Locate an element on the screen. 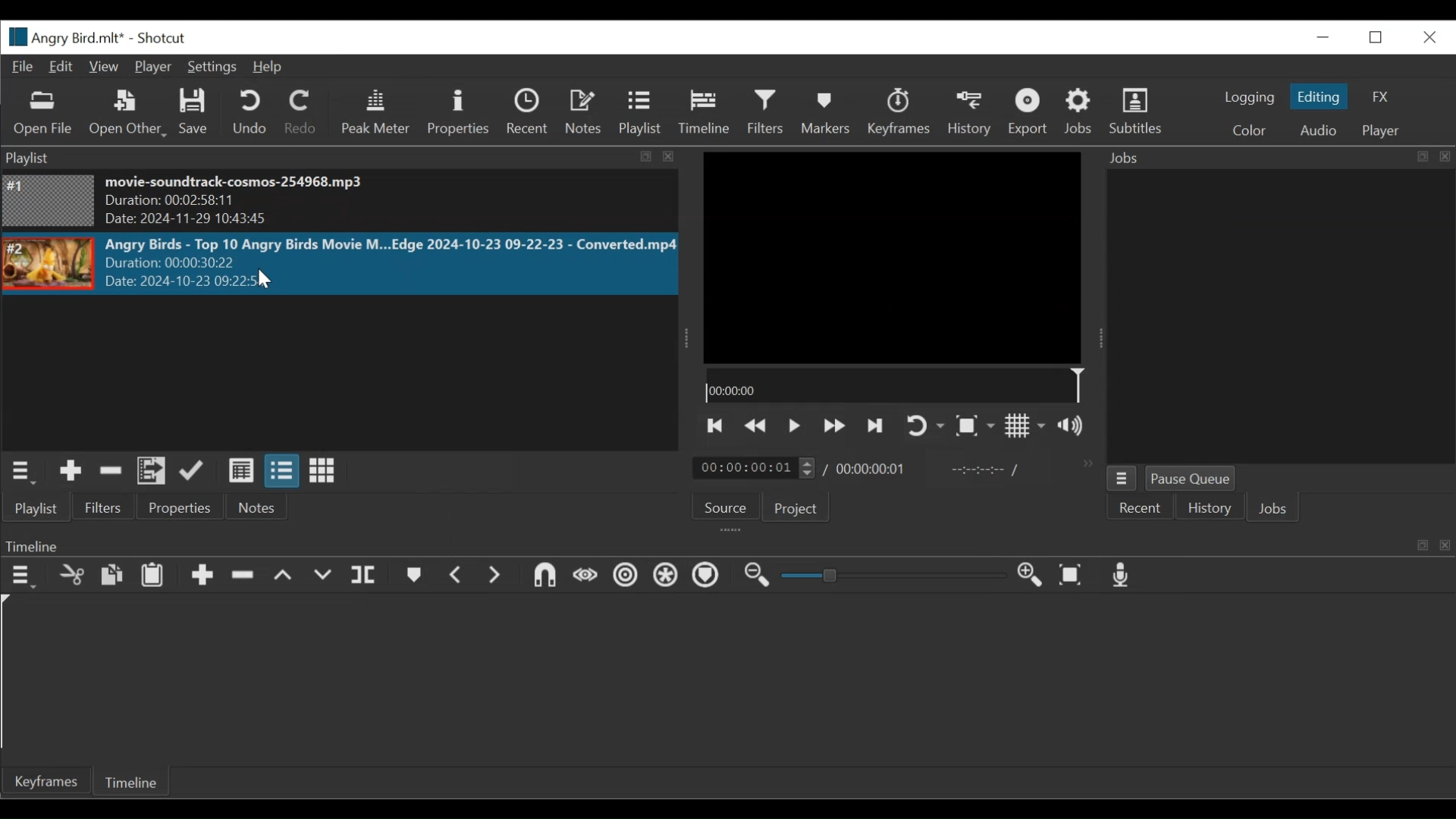 Image resolution: width=1456 pixels, height=819 pixels. Shotcut is located at coordinates (165, 38).